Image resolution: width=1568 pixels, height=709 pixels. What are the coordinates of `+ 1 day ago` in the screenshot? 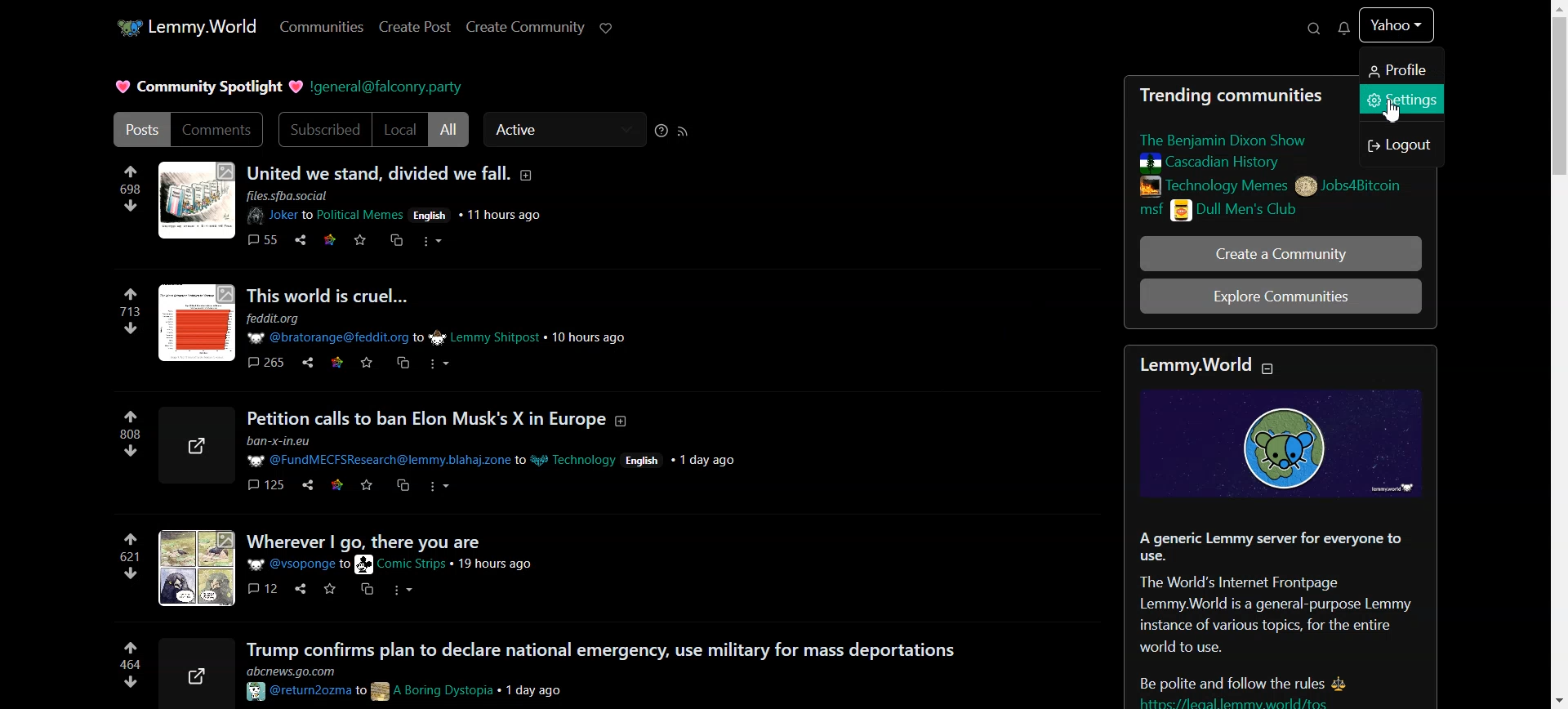 It's located at (707, 461).